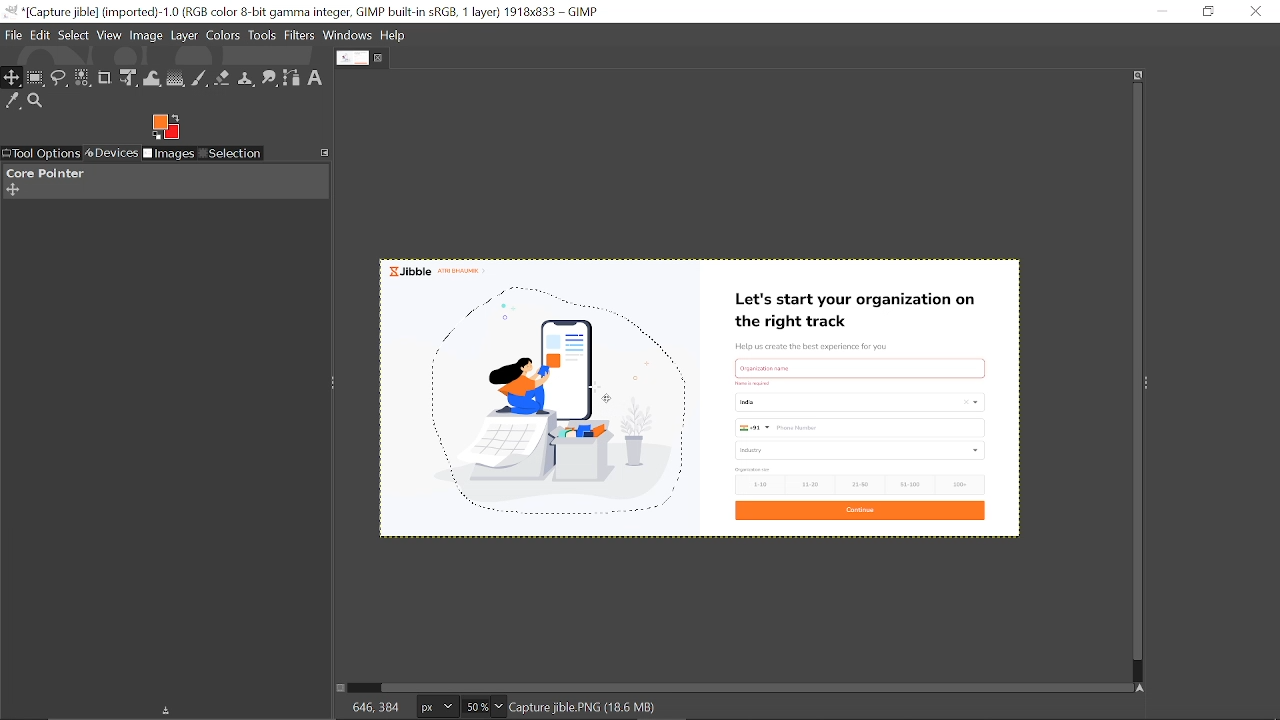 The height and width of the screenshot is (720, 1280). I want to click on Zoom tool, so click(36, 101).